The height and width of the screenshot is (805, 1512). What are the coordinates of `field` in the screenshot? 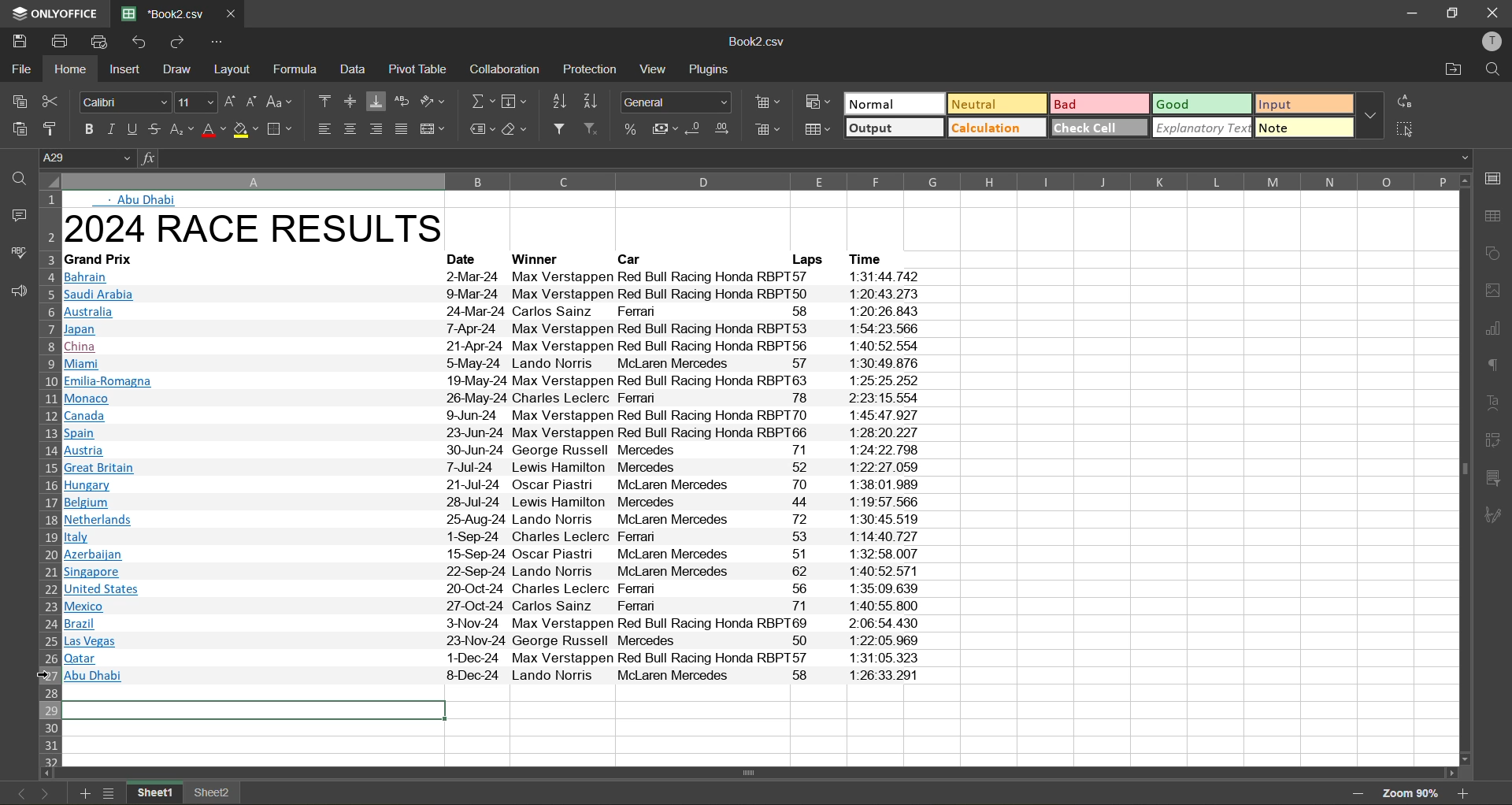 It's located at (513, 103).